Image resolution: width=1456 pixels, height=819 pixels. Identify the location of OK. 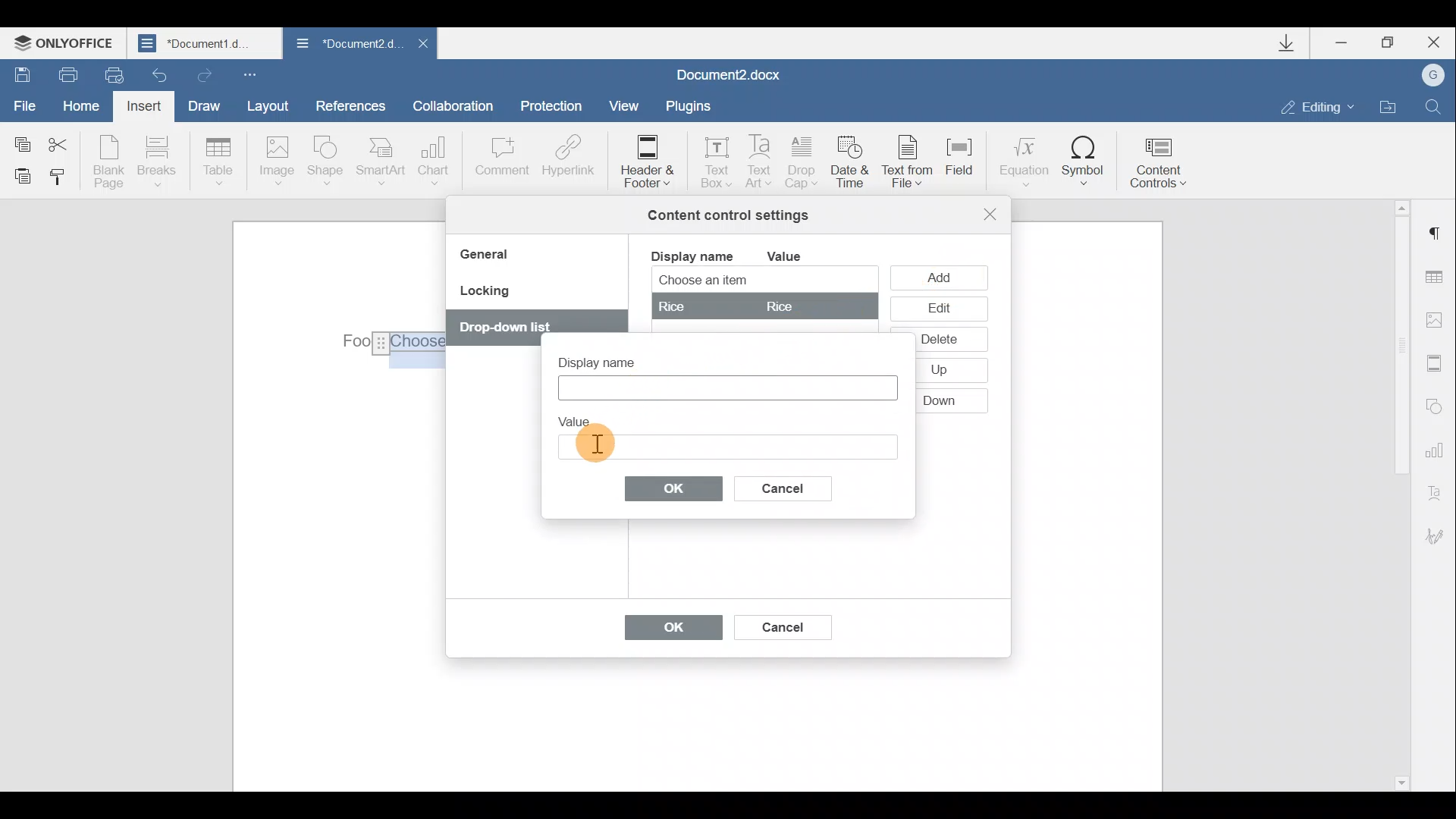
(674, 488).